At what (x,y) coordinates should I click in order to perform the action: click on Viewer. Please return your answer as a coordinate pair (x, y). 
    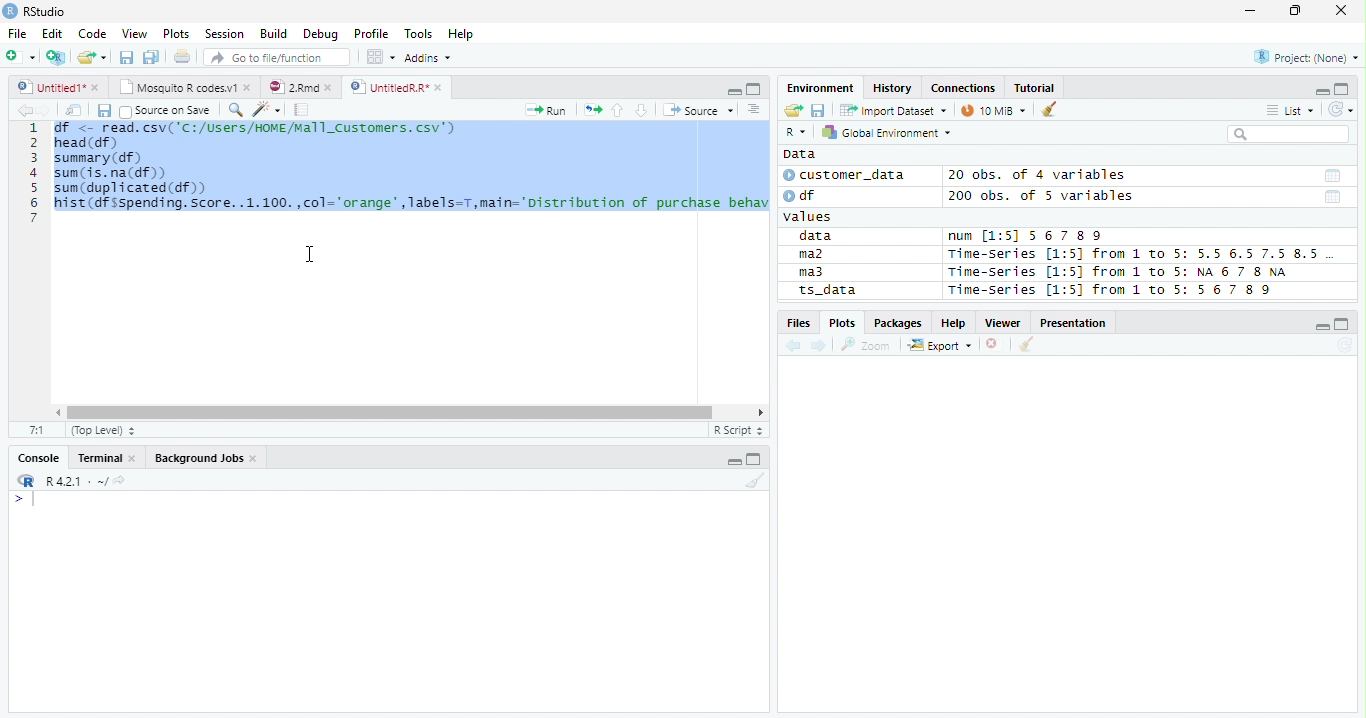
    Looking at the image, I should click on (1006, 323).